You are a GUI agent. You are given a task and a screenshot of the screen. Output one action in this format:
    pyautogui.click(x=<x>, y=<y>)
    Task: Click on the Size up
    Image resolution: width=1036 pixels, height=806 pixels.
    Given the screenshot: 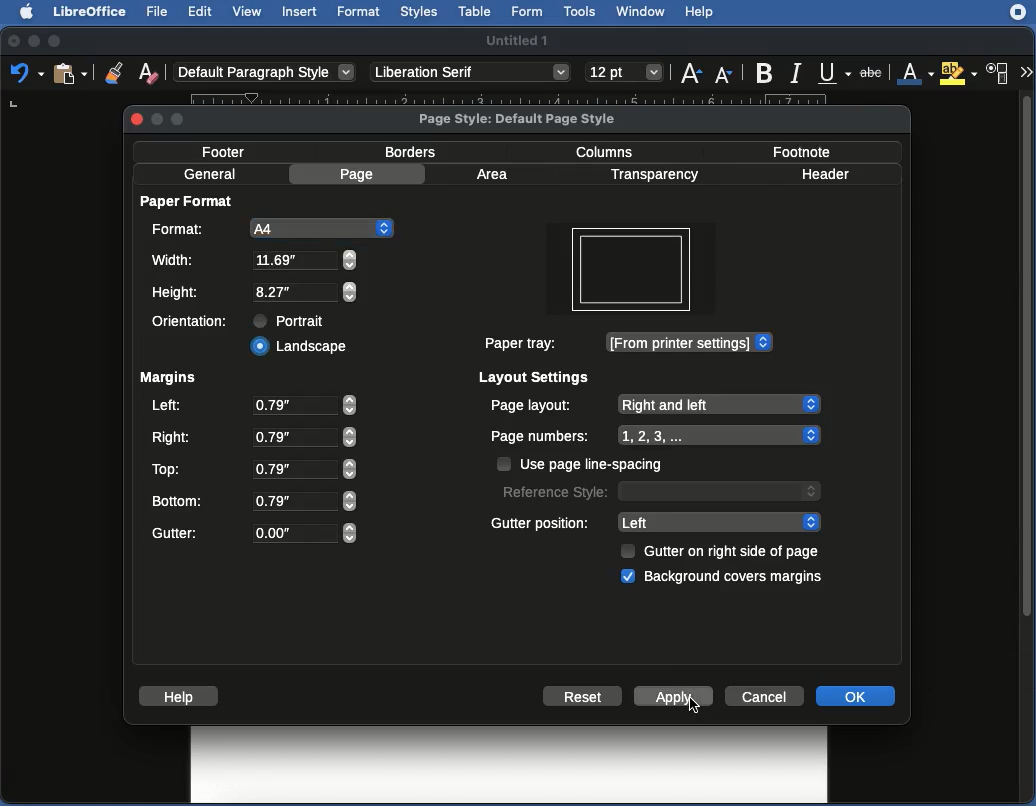 What is the action you would take?
    pyautogui.click(x=691, y=75)
    